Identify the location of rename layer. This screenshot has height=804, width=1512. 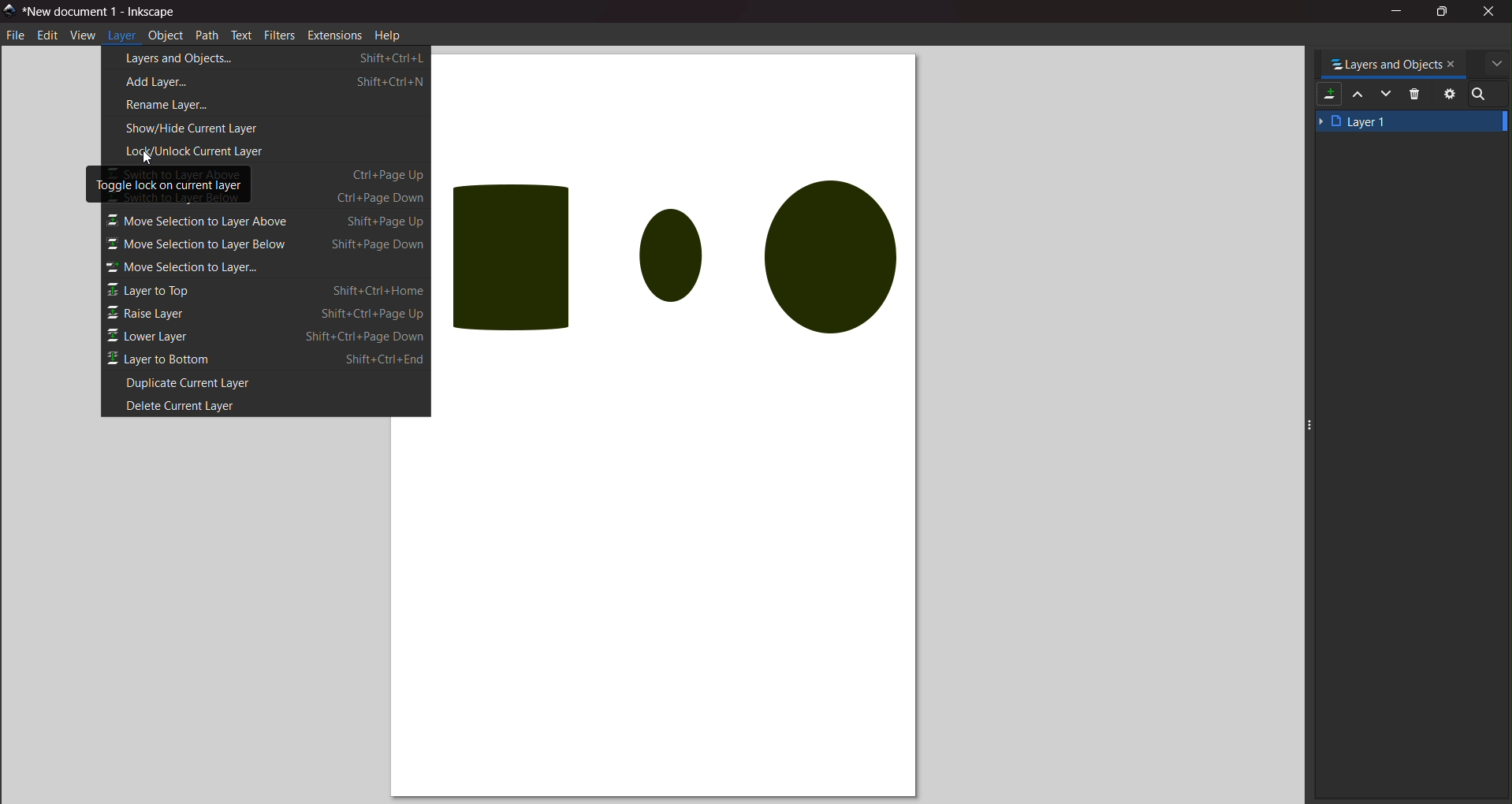
(173, 106).